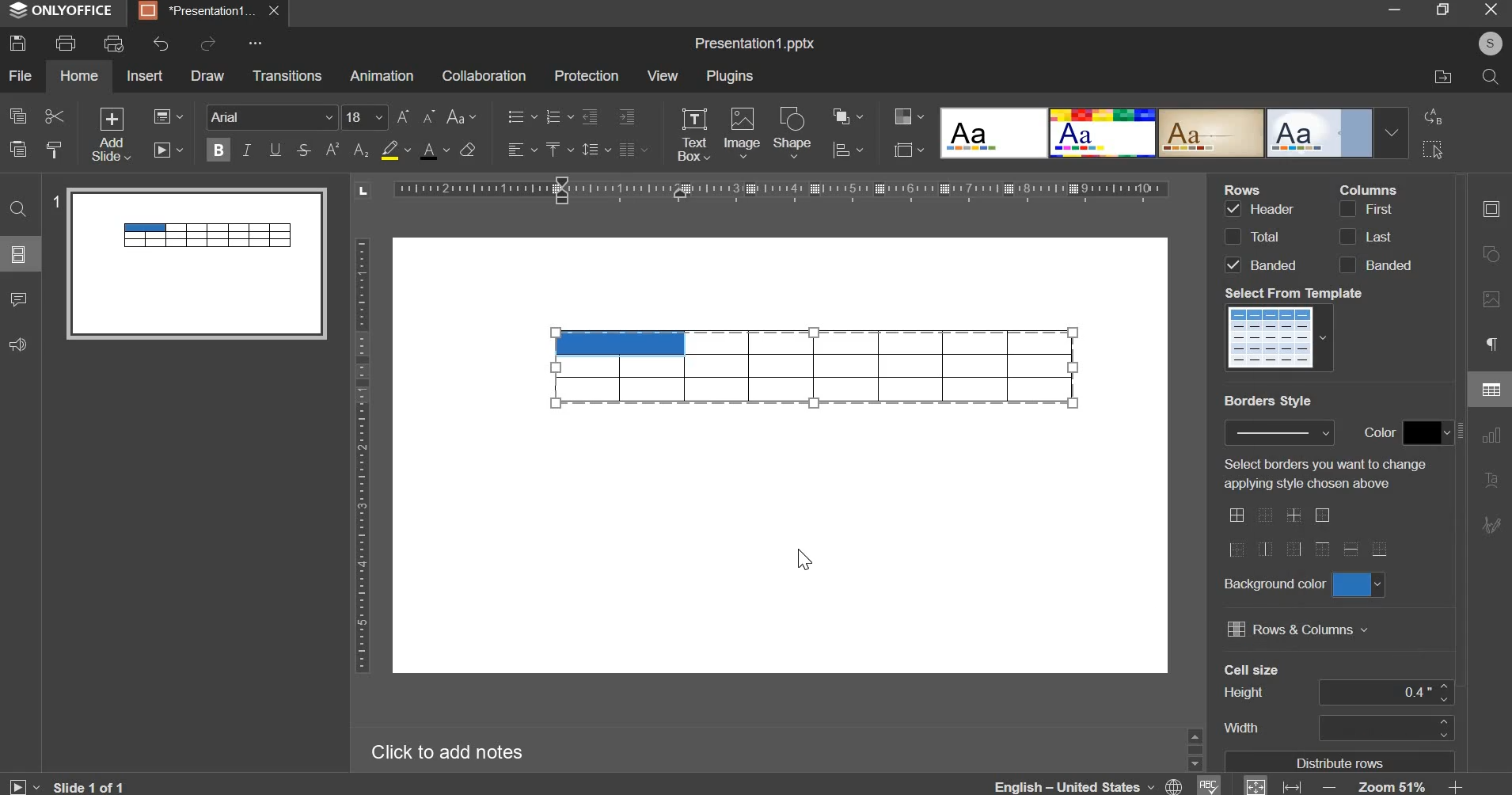  Describe the element at coordinates (78, 75) in the screenshot. I see `home` at that location.